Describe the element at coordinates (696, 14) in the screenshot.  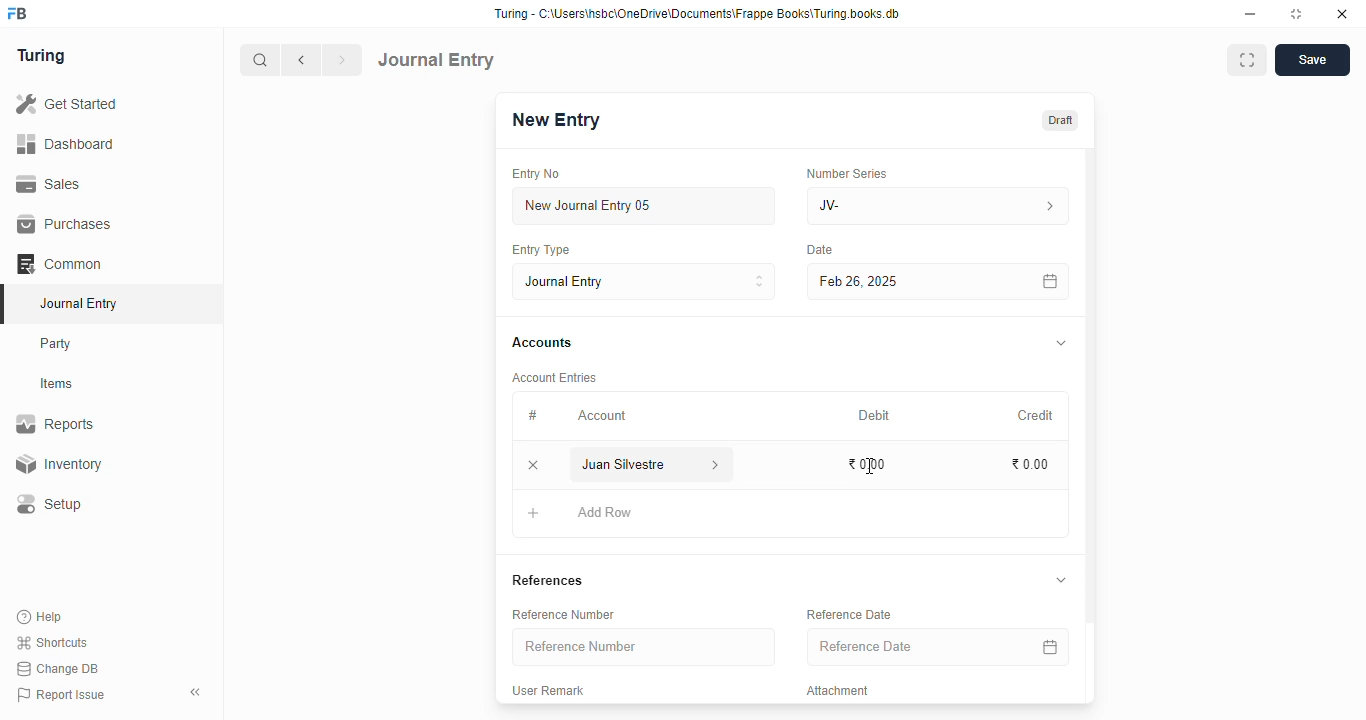
I see `Turing - C:\Users\hsbc\OneDrive\Documents\Frappe Books\Turing books.db` at that location.